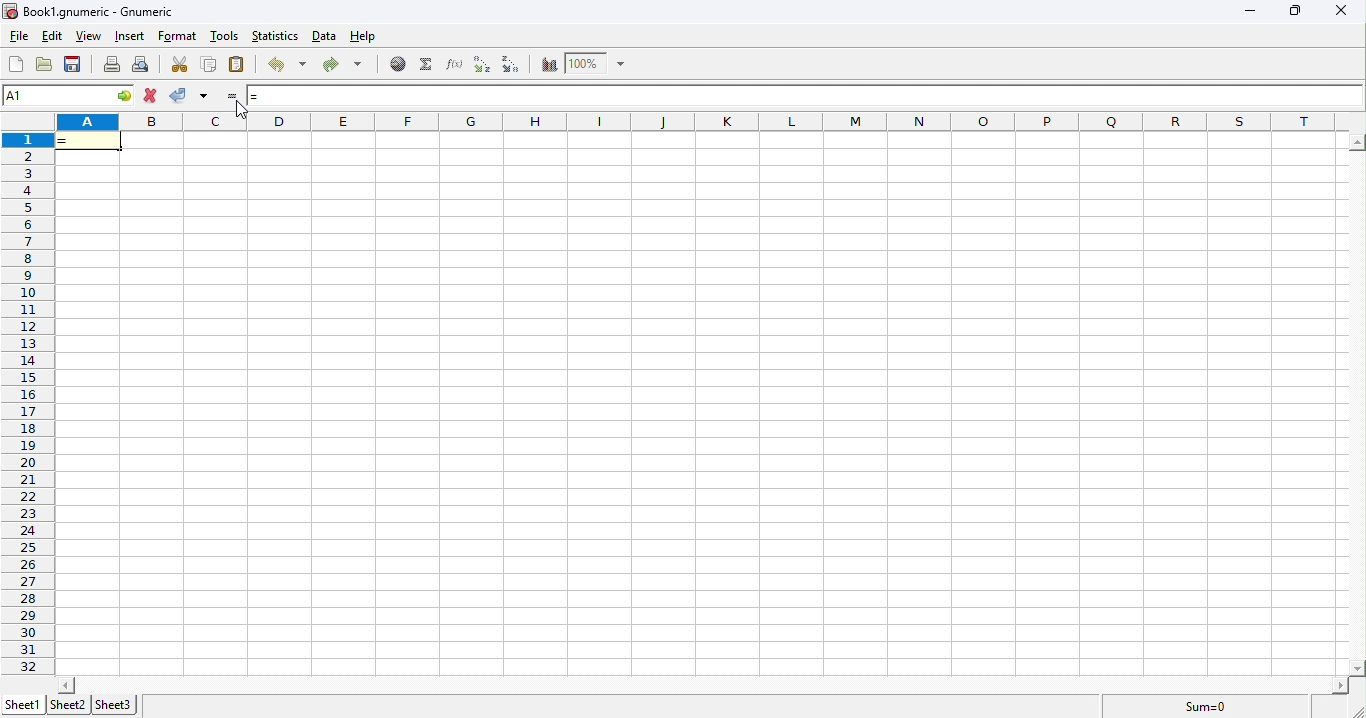  Describe the element at coordinates (55, 93) in the screenshot. I see `cell name A1` at that location.